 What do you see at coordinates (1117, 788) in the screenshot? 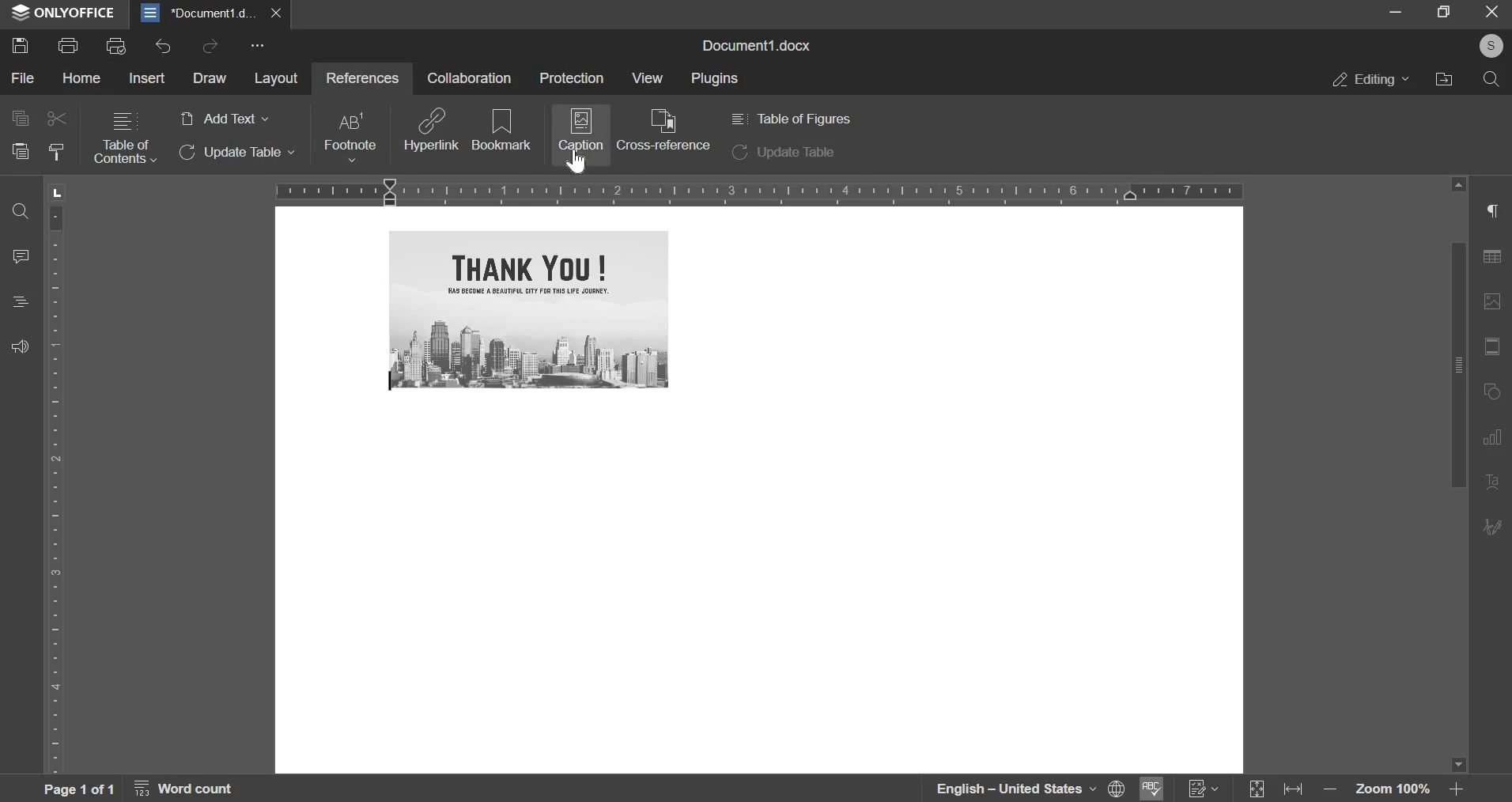
I see `Set Document Language` at bounding box center [1117, 788].